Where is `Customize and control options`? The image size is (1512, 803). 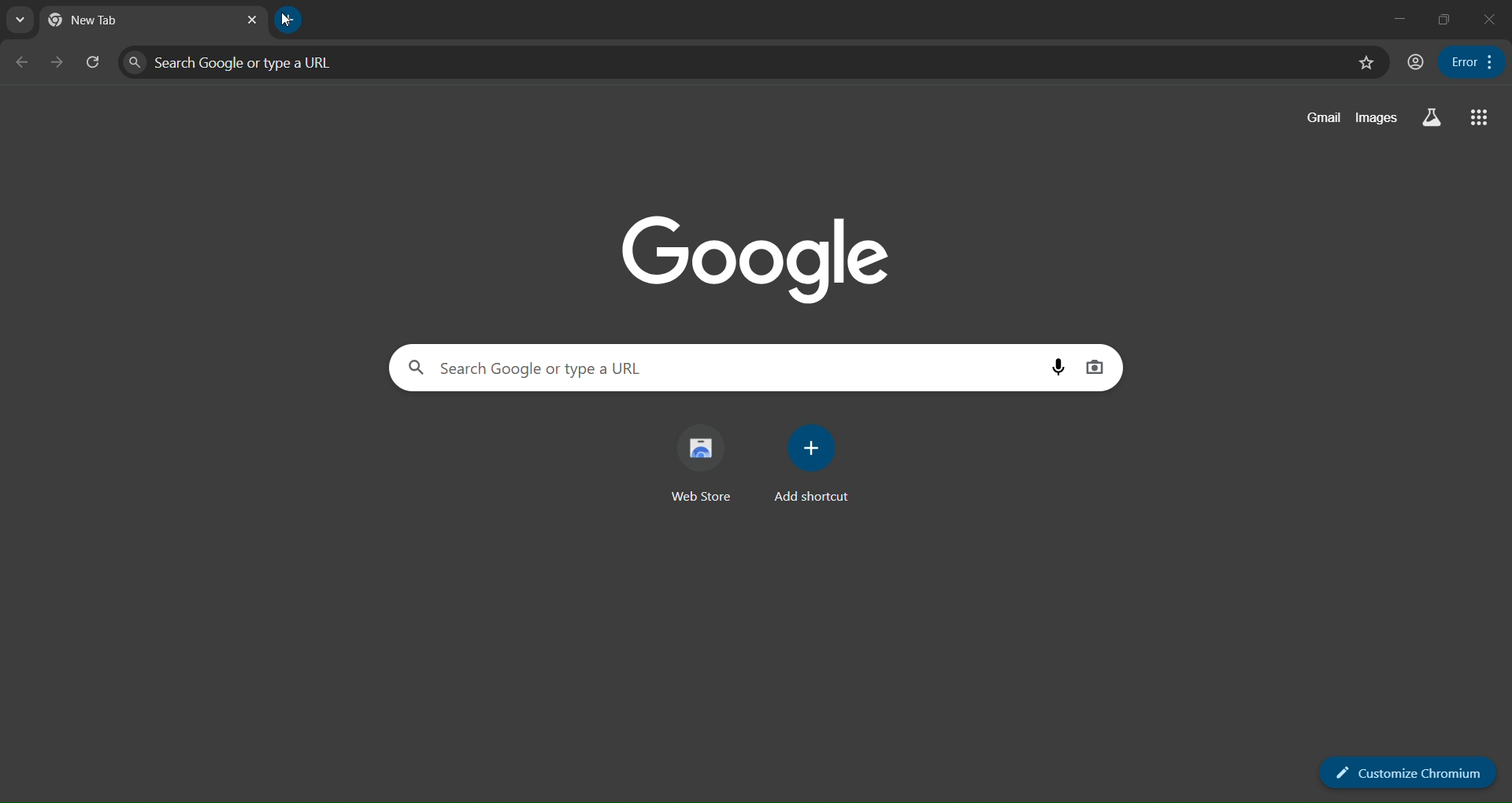
Customize and control options is located at coordinates (1468, 64).